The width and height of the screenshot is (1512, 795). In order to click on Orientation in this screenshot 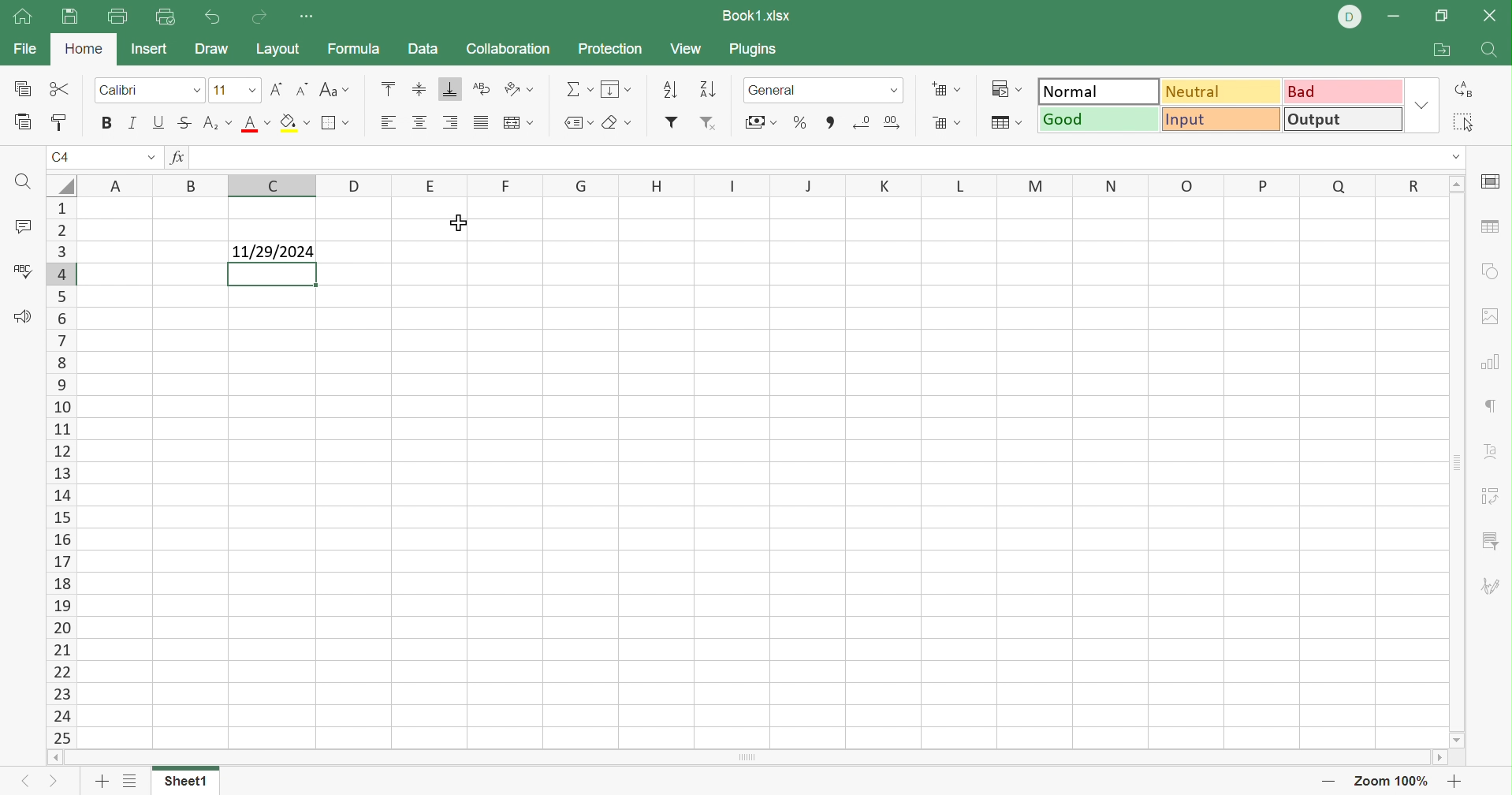, I will do `click(519, 88)`.